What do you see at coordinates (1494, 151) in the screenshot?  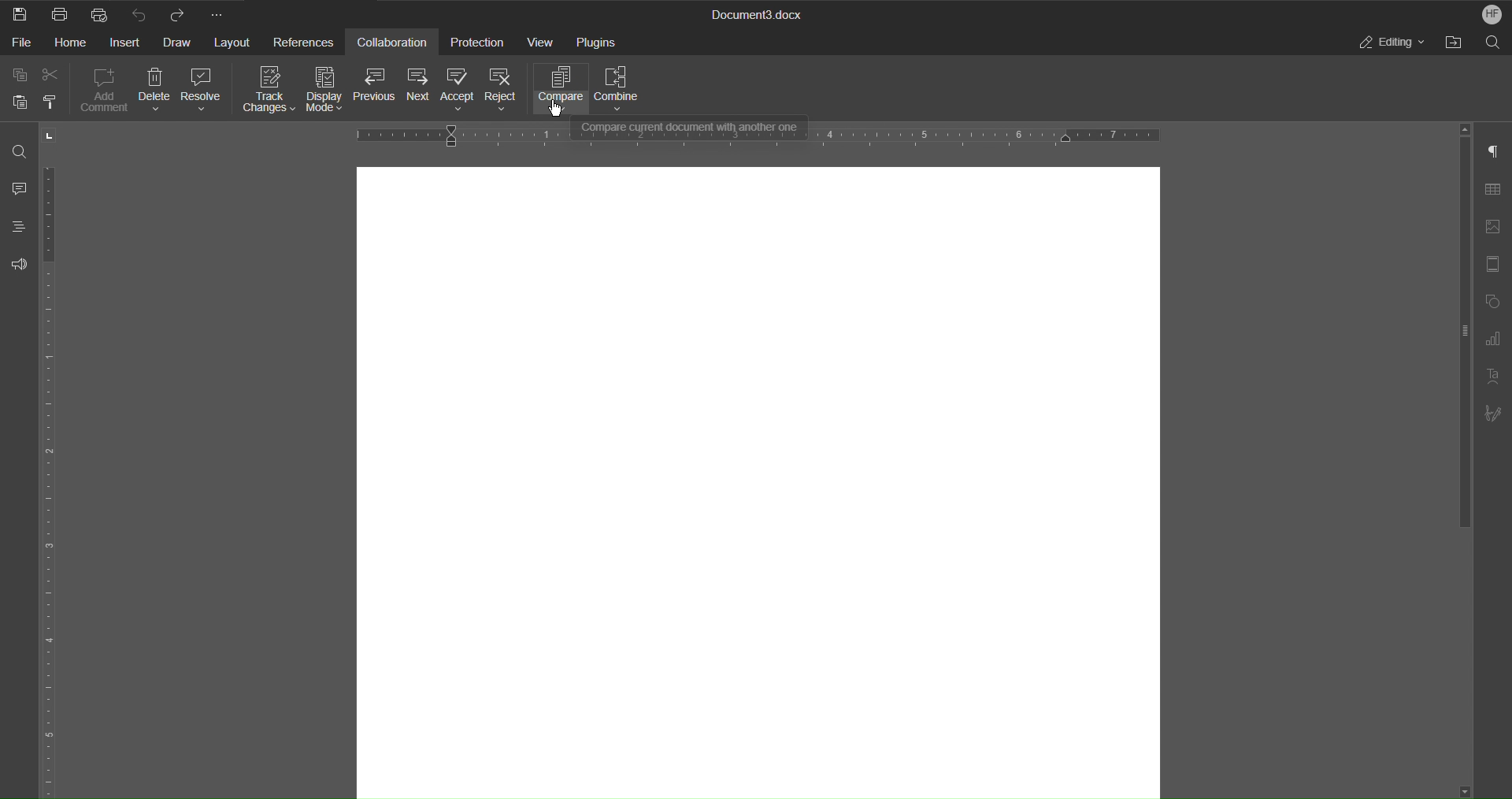 I see `Paragraph Settings` at bounding box center [1494, 151].